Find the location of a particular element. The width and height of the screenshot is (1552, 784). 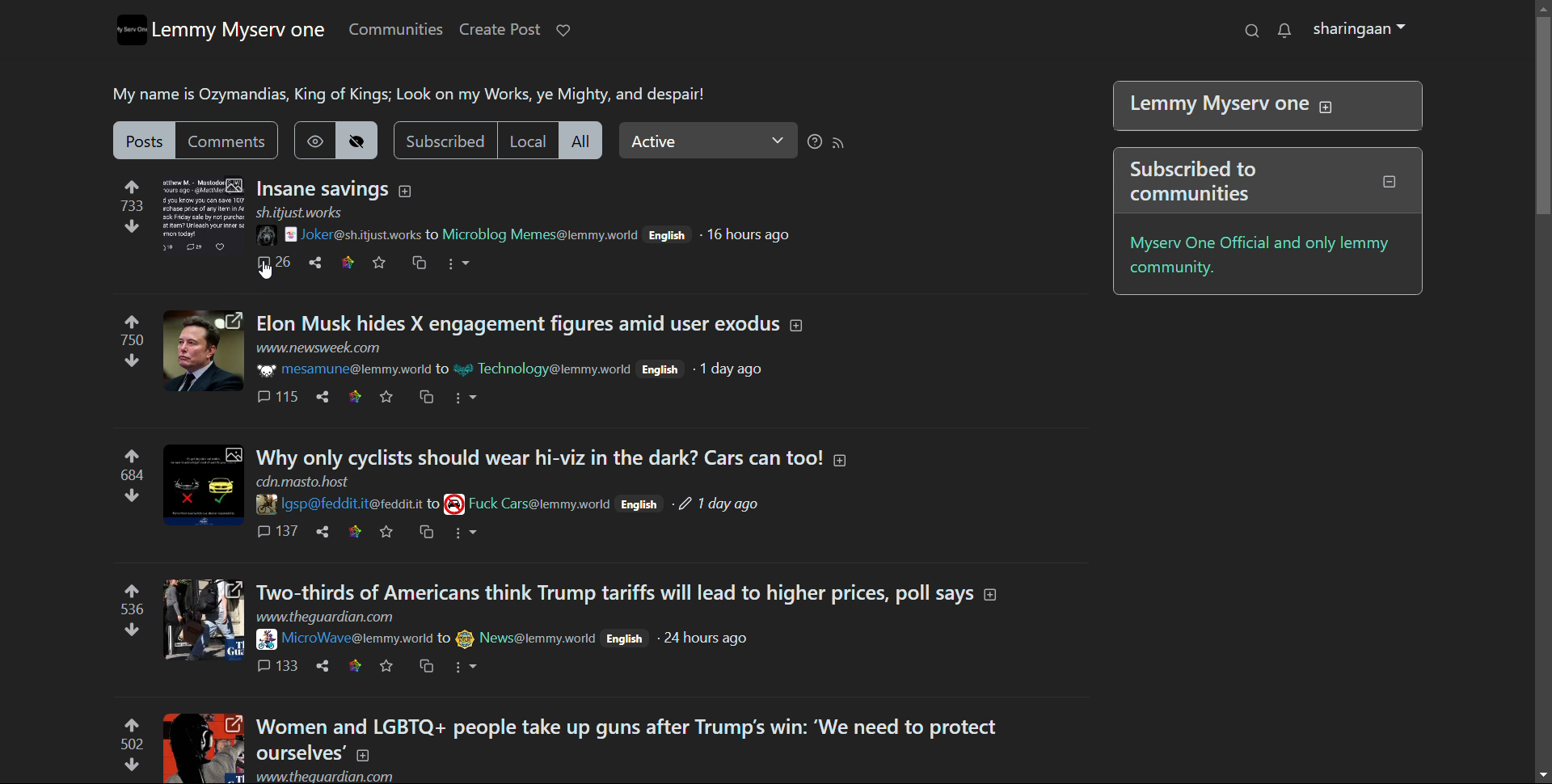

url is located at coordinates (327, 776).